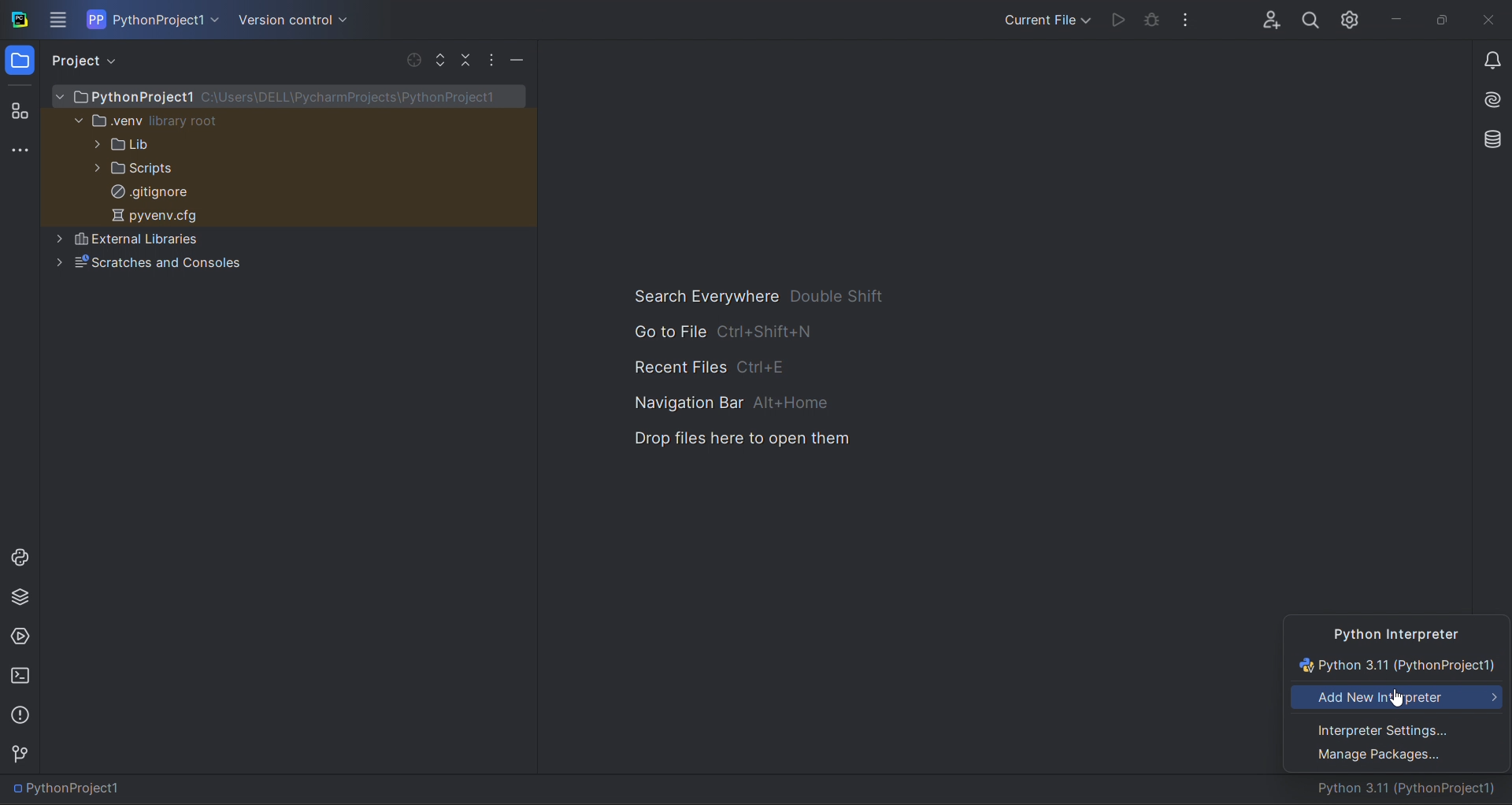  What do you see at coordinates (1398, 759) in the screenshot?
I see `manage packages` at bounding box center [1398, 759].